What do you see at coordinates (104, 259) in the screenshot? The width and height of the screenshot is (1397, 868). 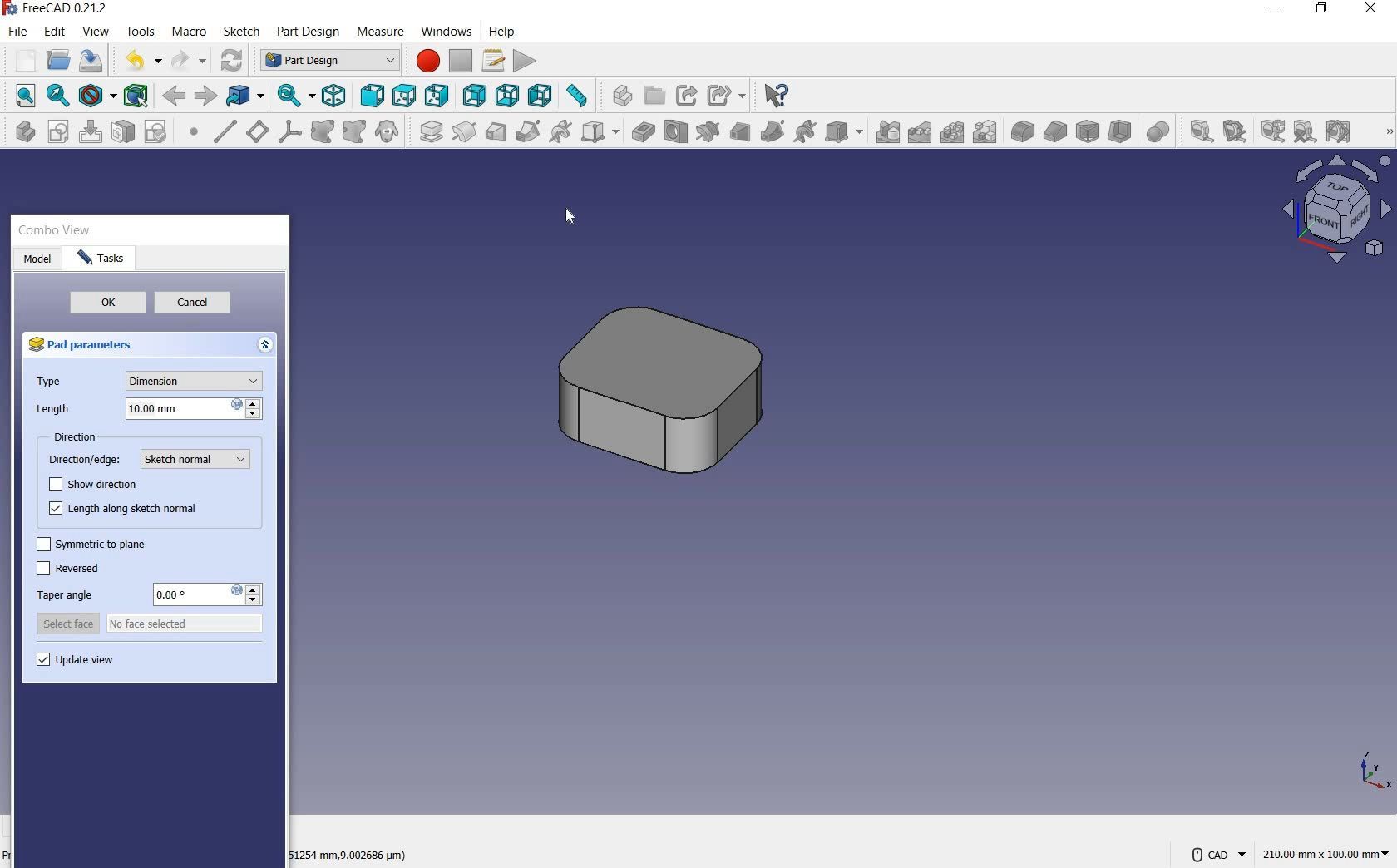 I see `Tasks` at bounding box center [104, 259].